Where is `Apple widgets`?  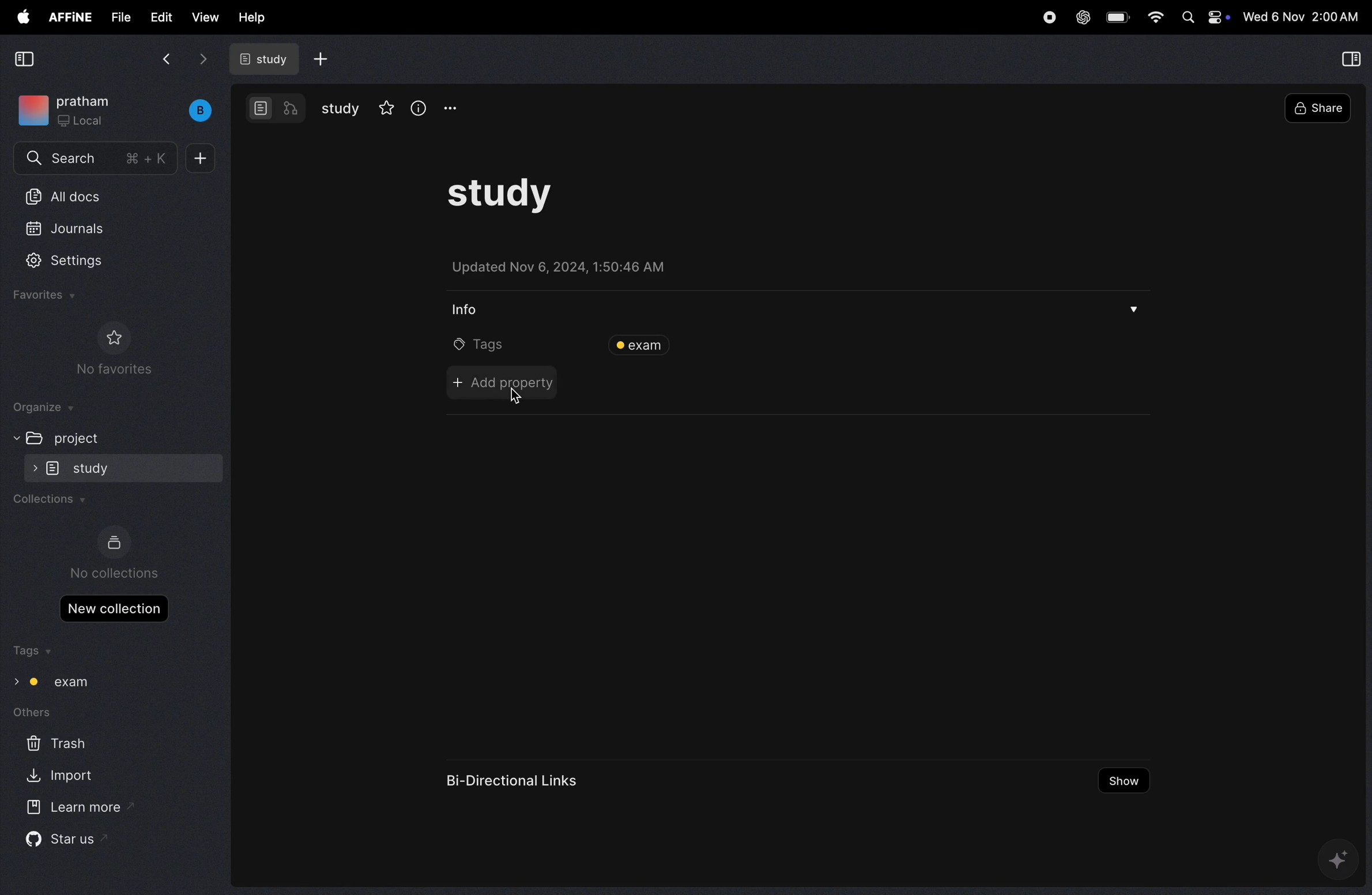 Apple widgets is located at coordinates (1203, 20).